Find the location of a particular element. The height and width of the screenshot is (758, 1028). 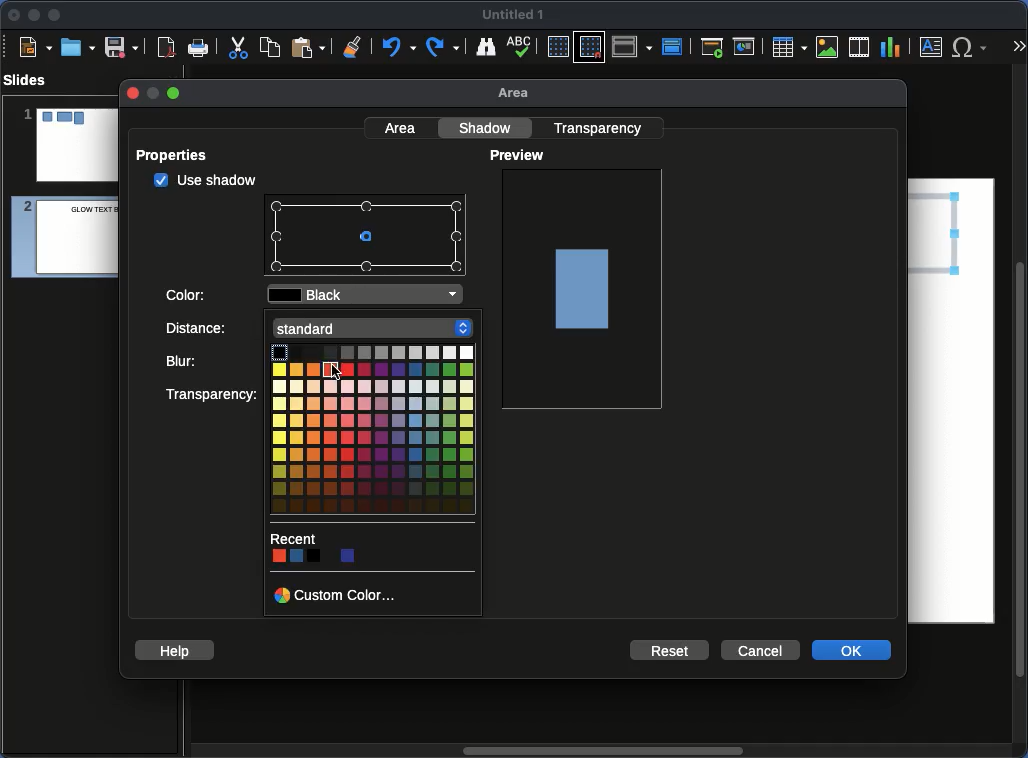

Scroll is located at coordinates (1022, 413).